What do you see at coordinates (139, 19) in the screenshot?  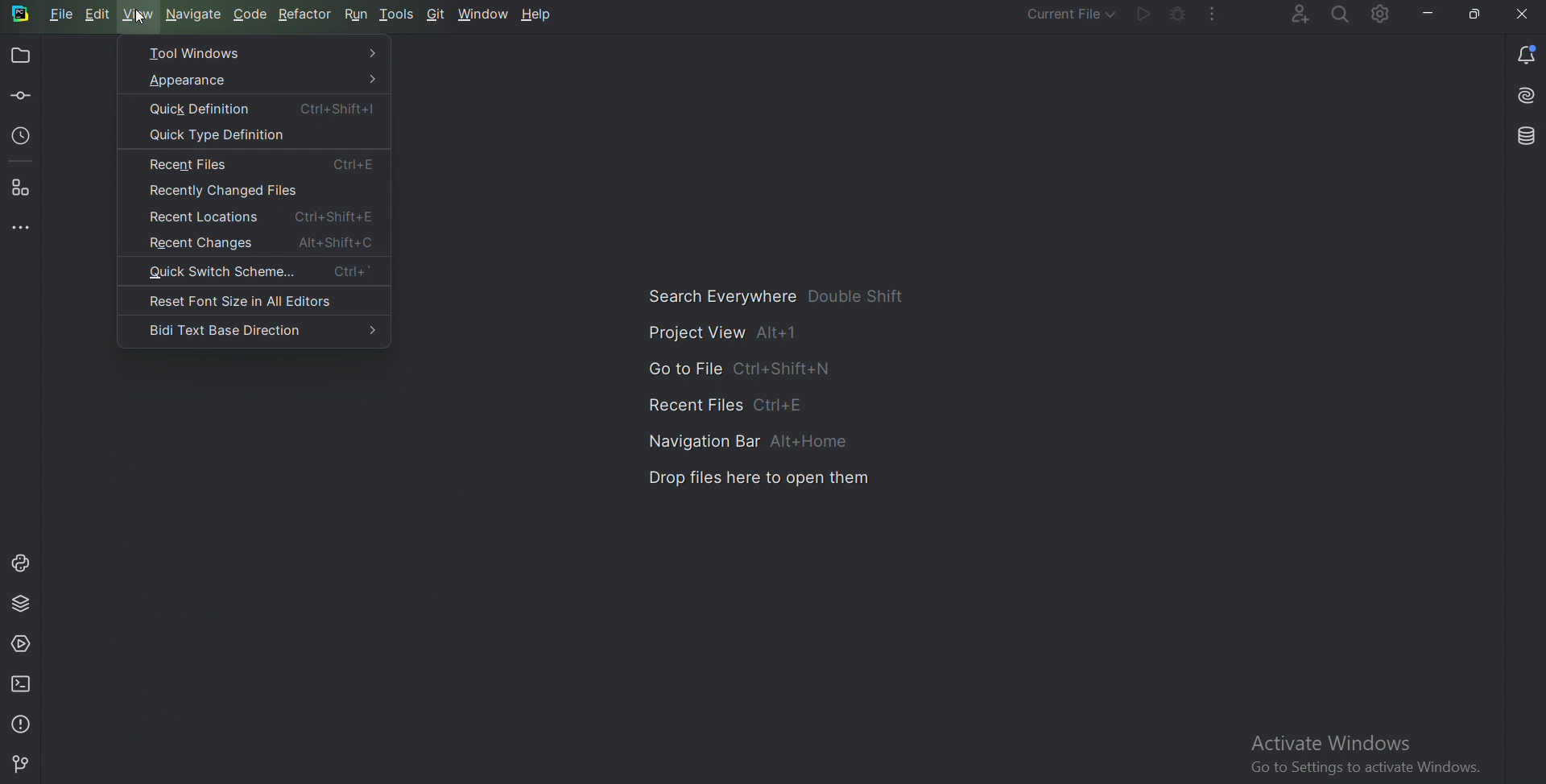 I see `Cursor` at bounding box center [139, 19].